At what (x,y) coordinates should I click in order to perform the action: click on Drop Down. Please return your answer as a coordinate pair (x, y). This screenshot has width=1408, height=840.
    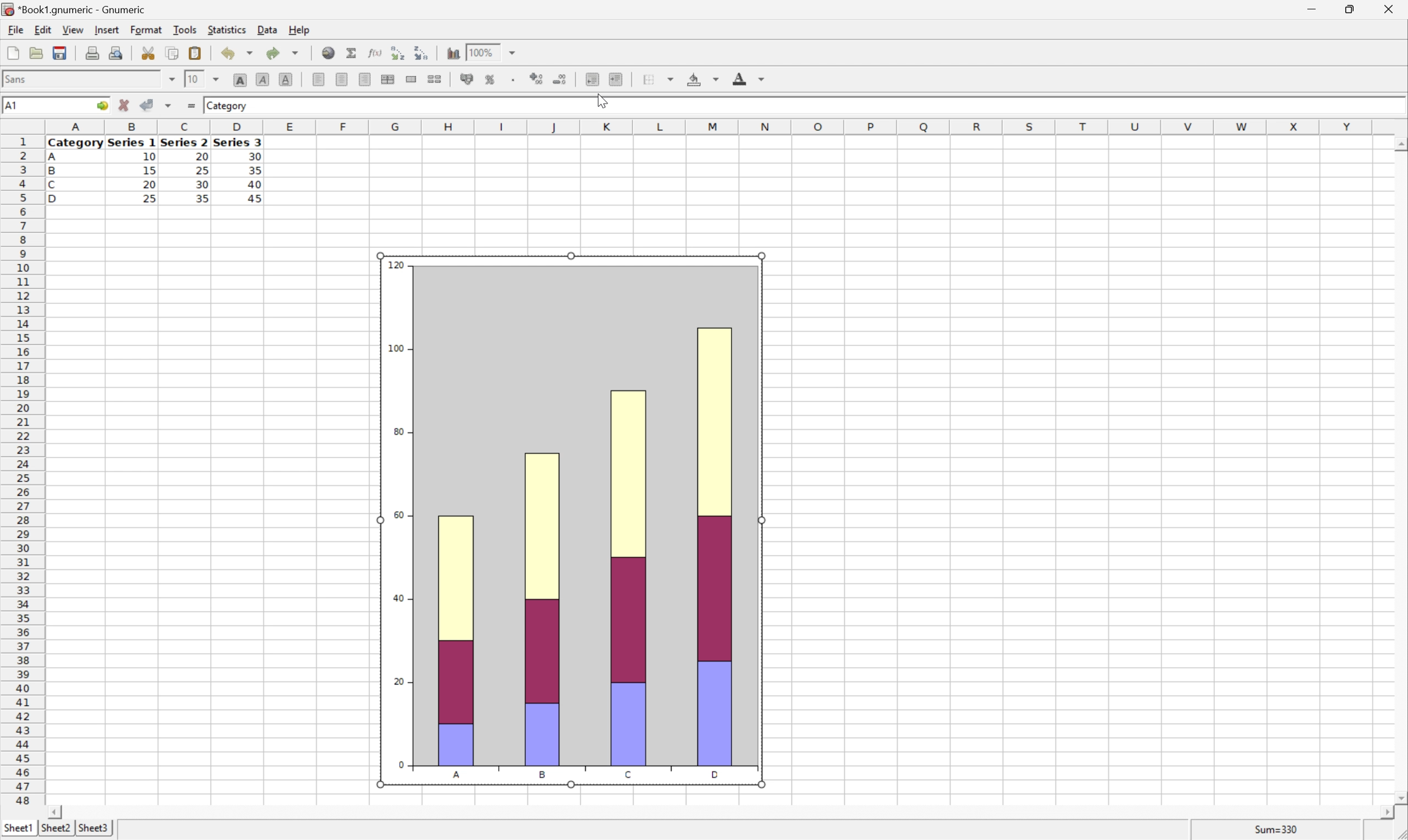
    Looking at the image, I should click on (172, 79).